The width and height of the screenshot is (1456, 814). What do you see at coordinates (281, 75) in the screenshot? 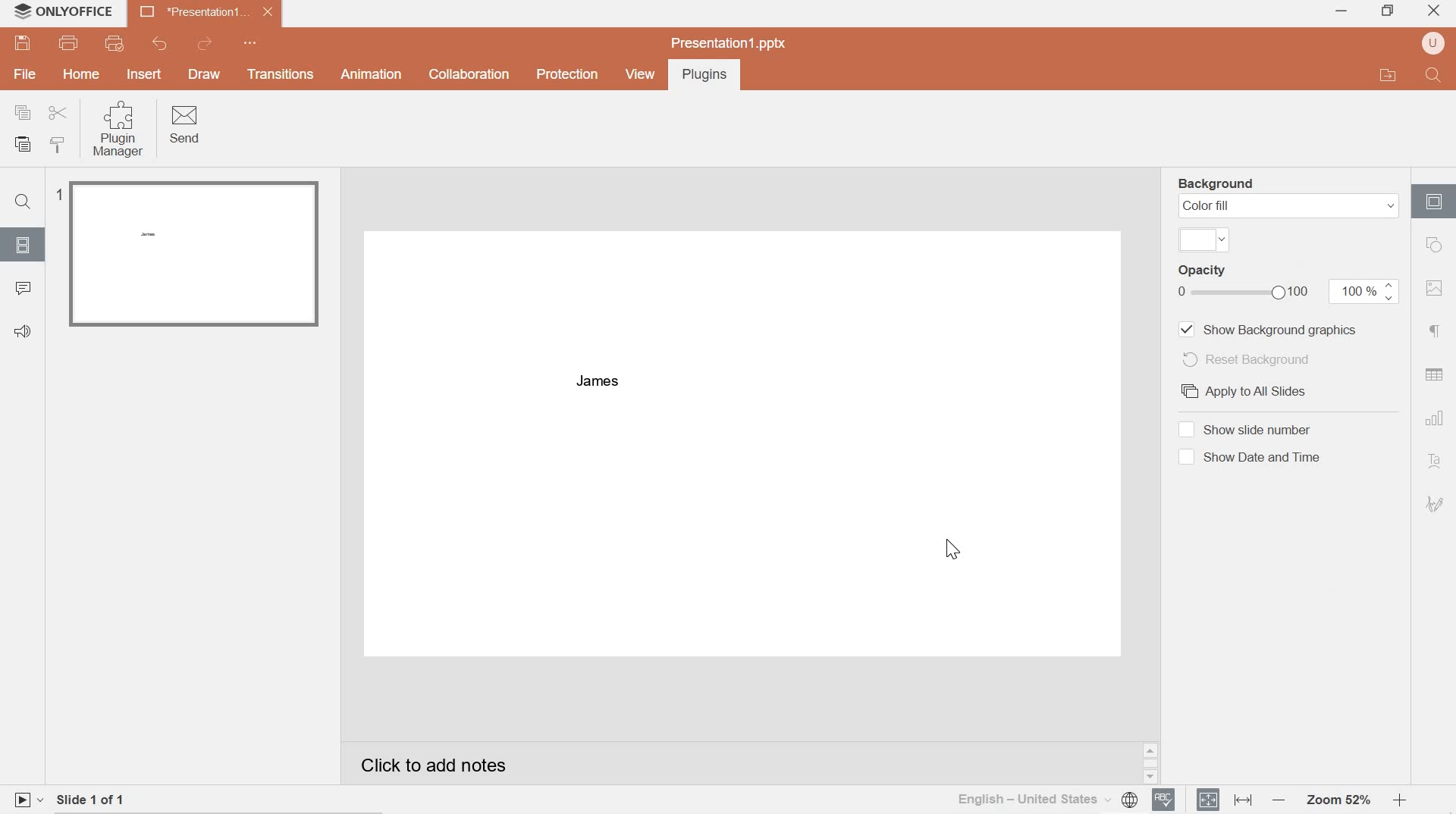
I see `Transitions` at bounding box center [281, 75].